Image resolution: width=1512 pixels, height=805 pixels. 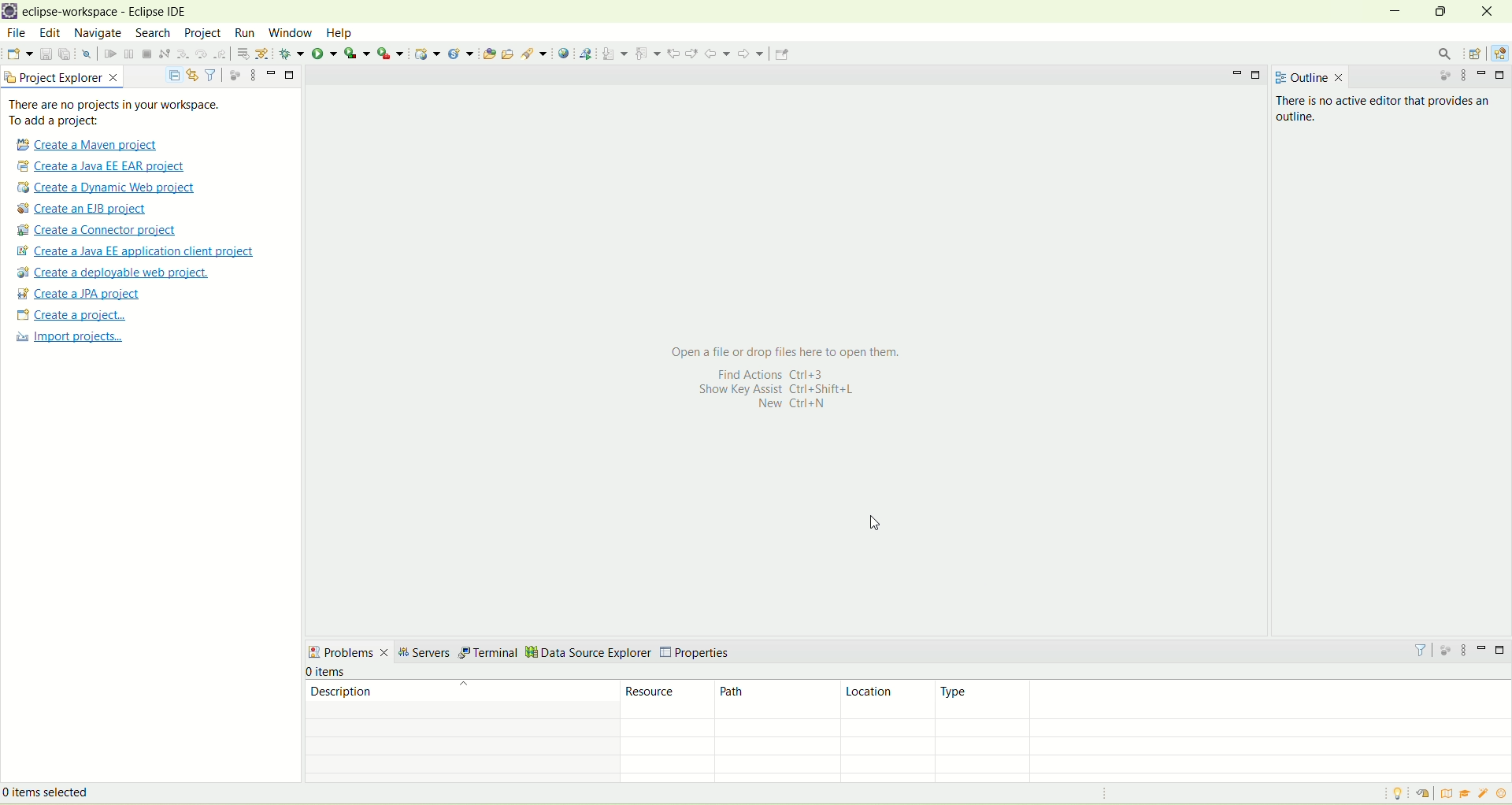 What do you see at coordinates (264, 54) in the screenshot?
I see `step over` at bounding box center [264, 54].